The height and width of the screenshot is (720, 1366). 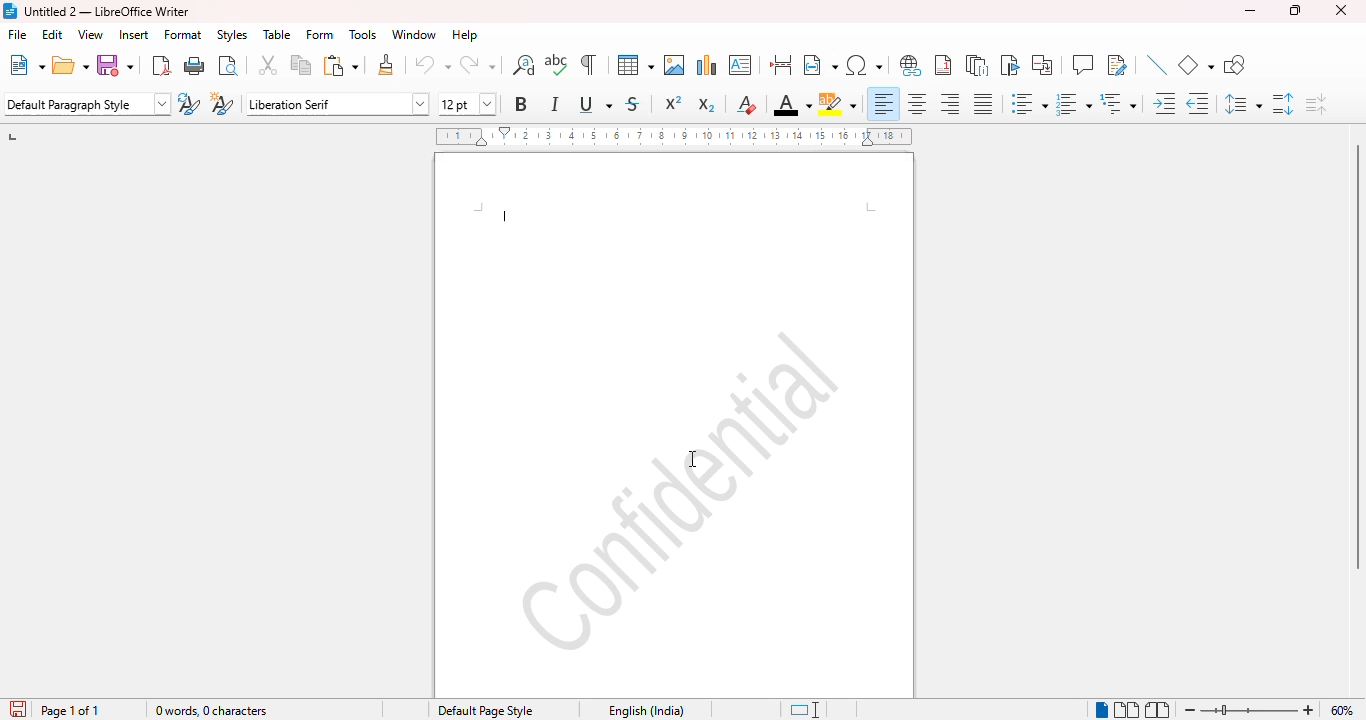 I want to click on set line spacing, so click(x=1241, y=104).